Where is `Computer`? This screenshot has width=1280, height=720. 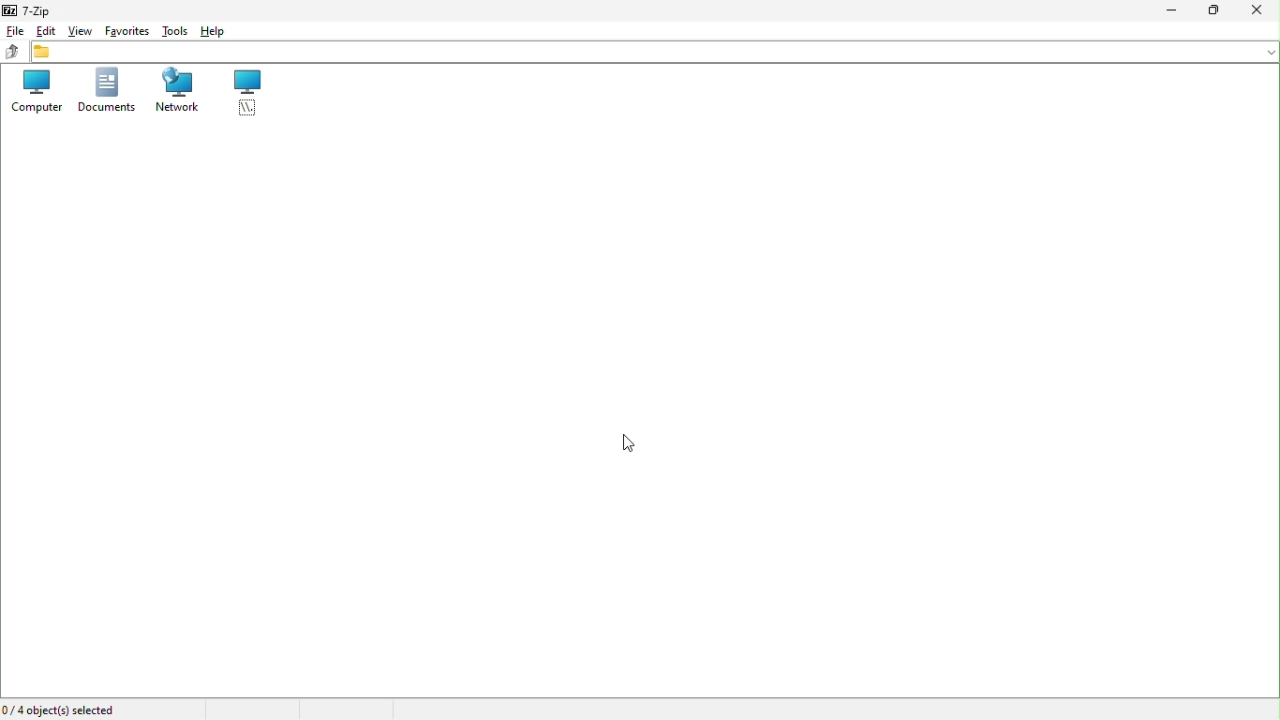 Computer is located at coordinates (33, 92).